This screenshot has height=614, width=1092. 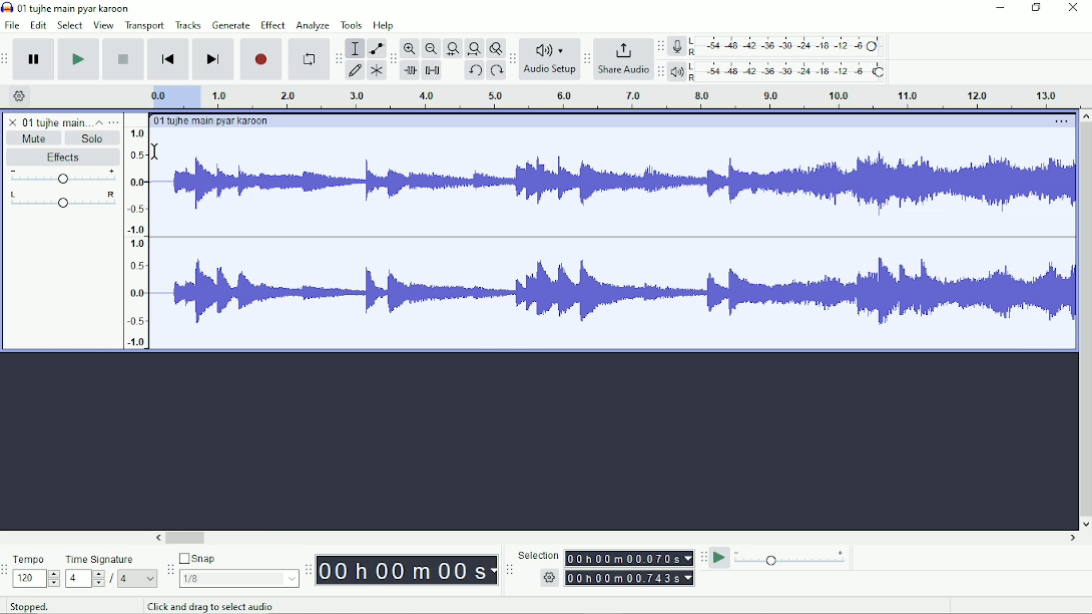 I want to click on Horizontal scrollbar, so click(x=617, y=539).